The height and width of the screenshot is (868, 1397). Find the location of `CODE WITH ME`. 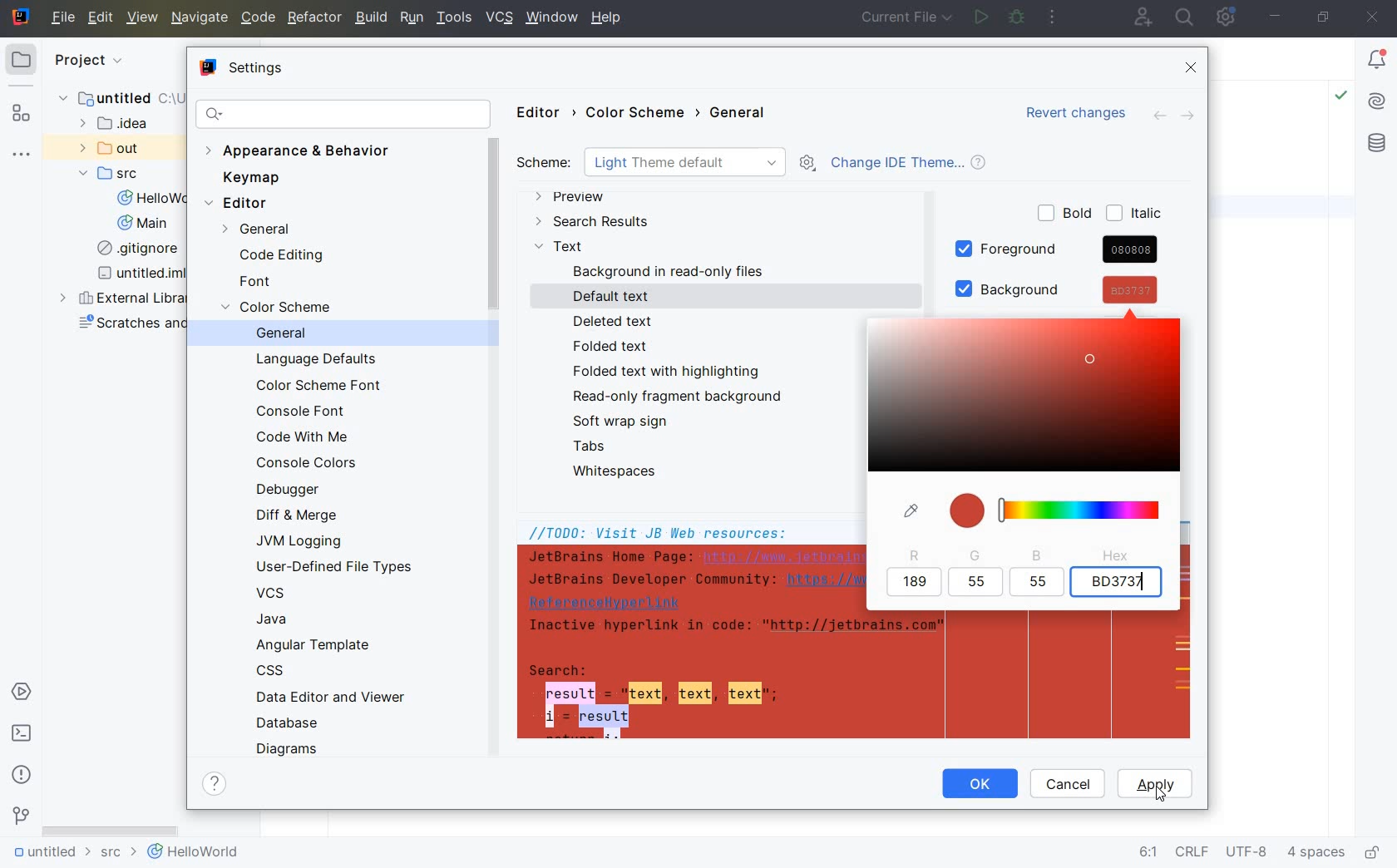

CODE WITH ME is located at coordinates (305, 440).